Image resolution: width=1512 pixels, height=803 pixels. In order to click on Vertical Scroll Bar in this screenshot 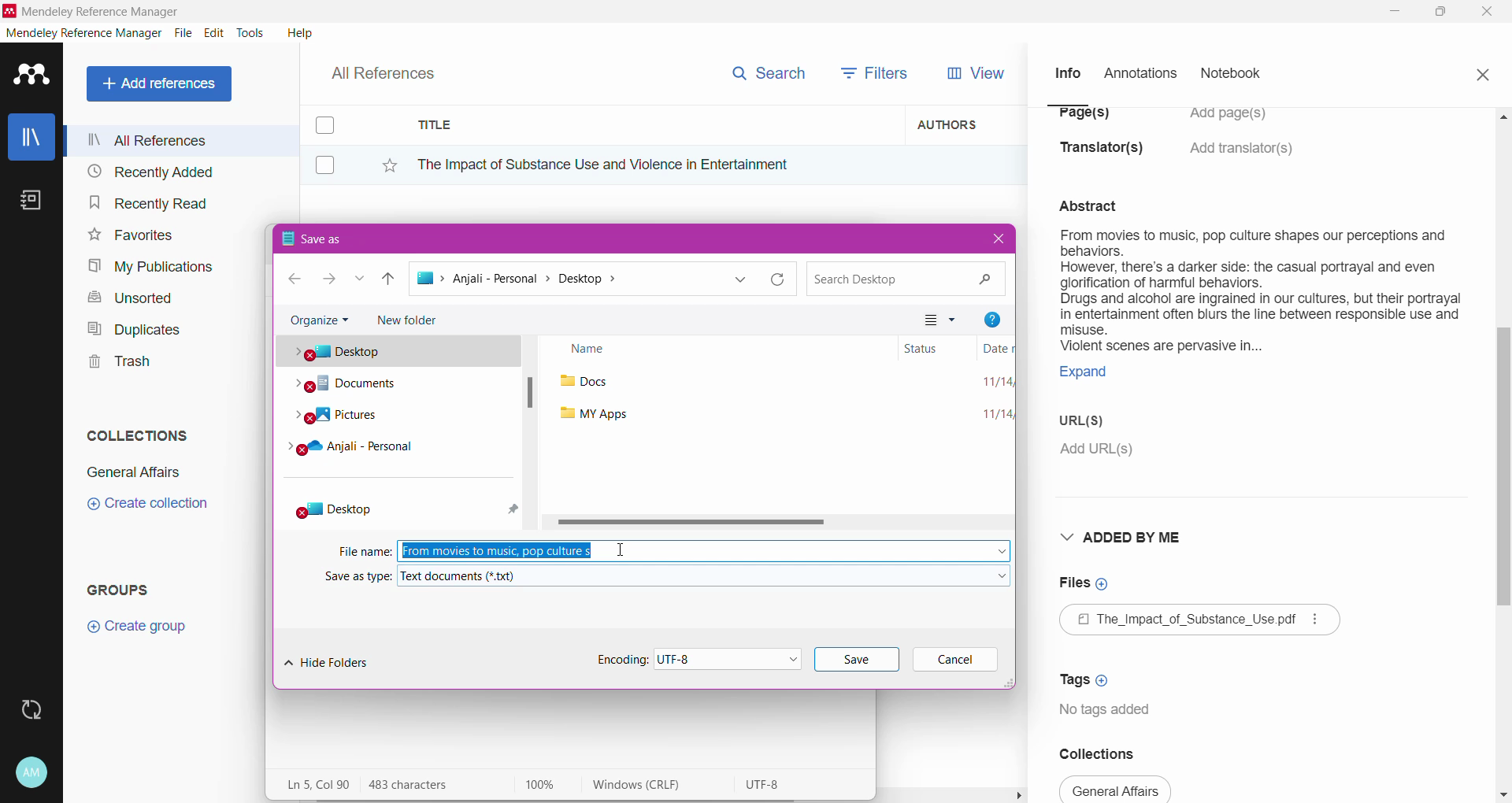, I will do `click(1503, 453)`.